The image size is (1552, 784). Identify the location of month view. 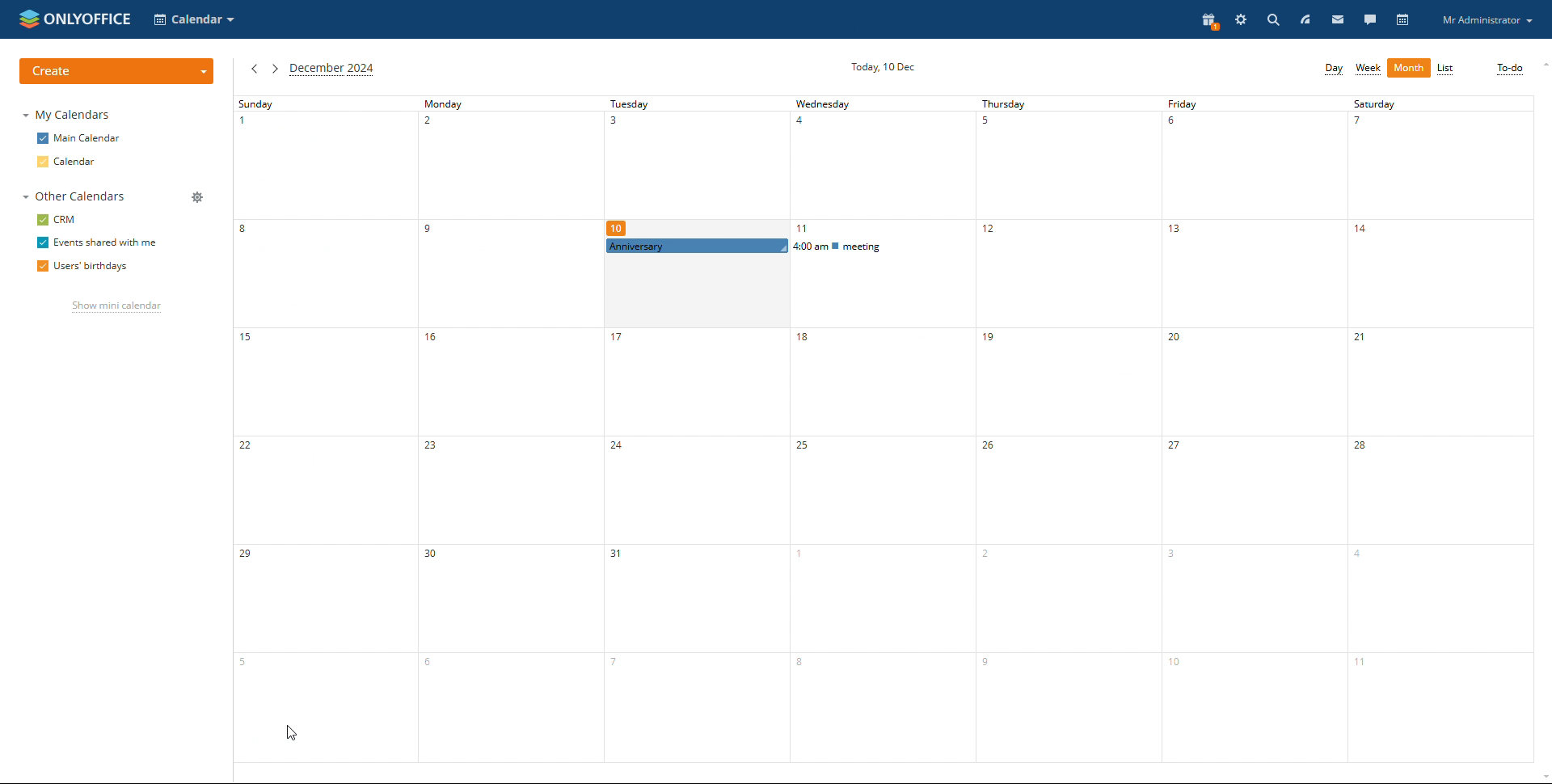
(1409, 68).